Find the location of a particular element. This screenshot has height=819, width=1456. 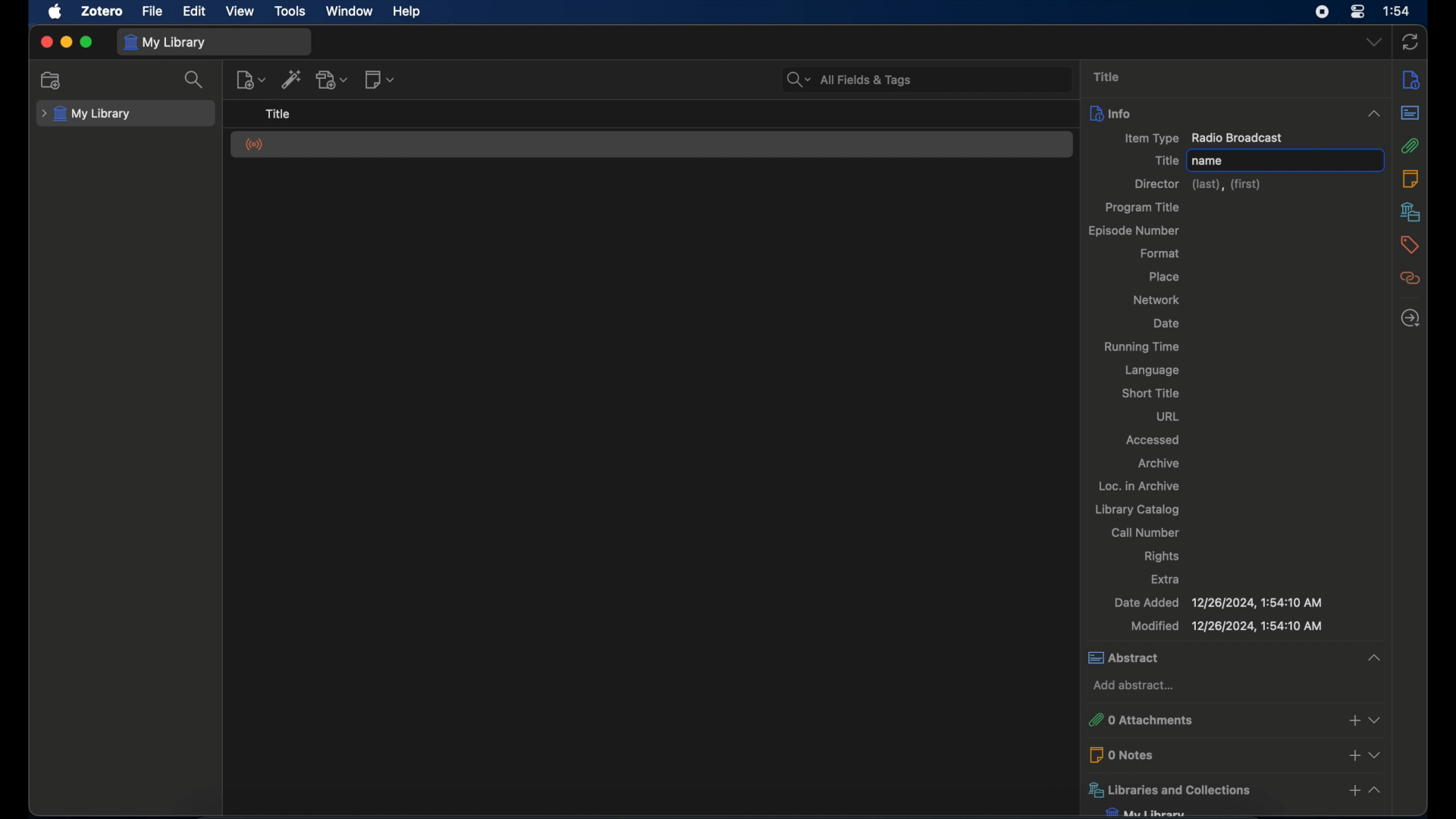

short title is located at coordinates (1150, 394).